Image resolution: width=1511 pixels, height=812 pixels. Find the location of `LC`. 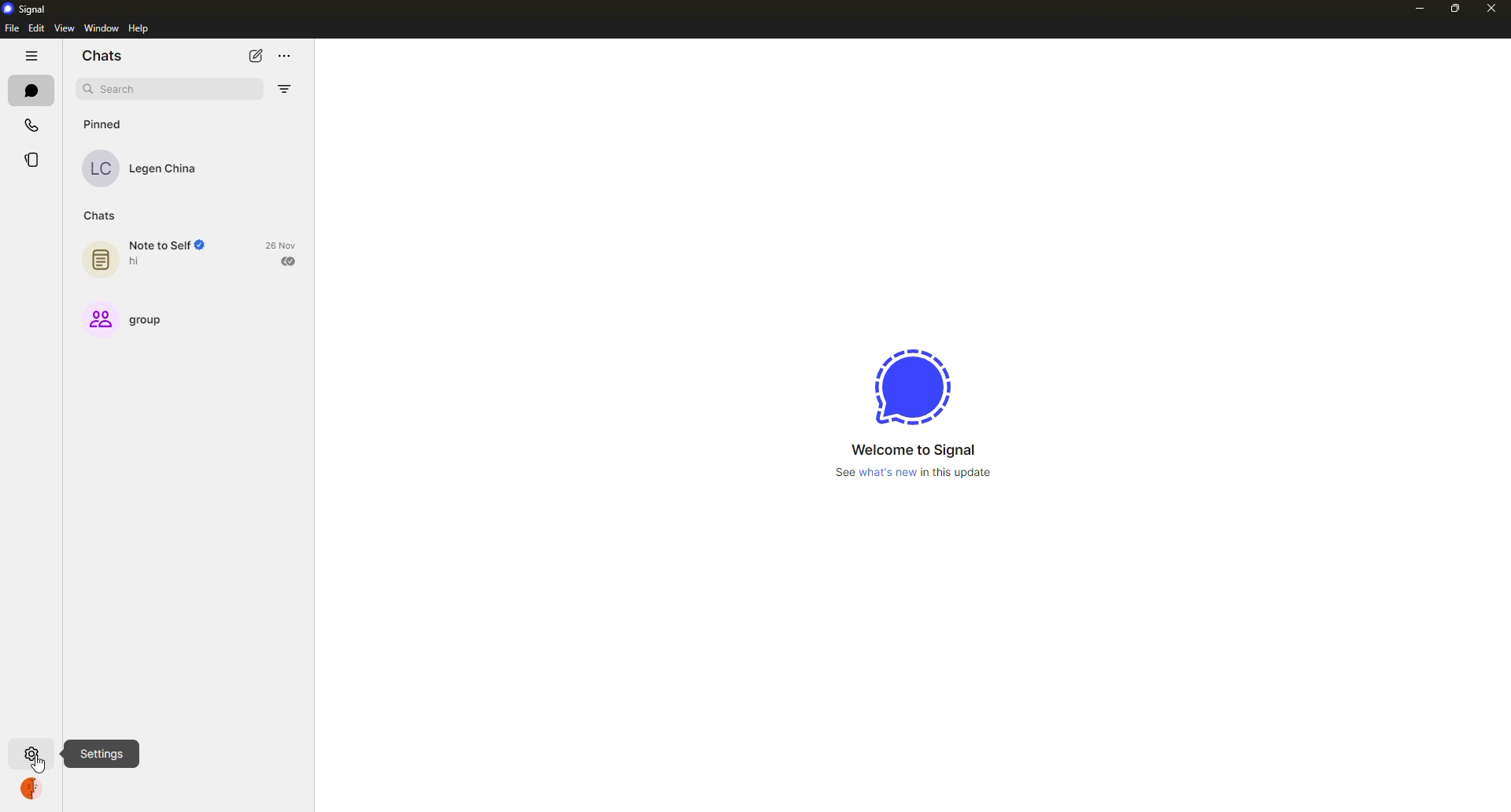

LC is located at coordinates (99, 168).